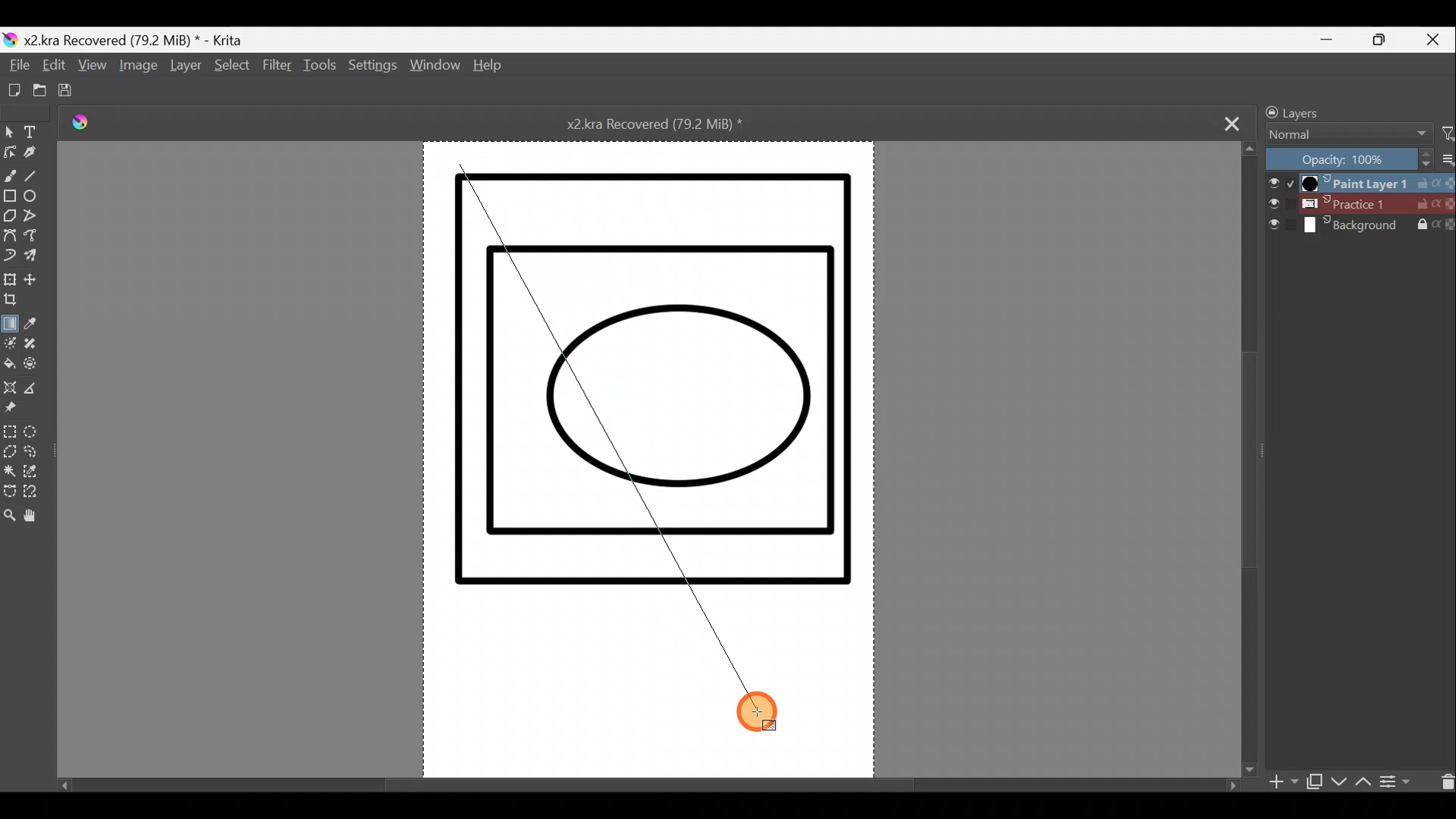 Image resolution: width=1456 pixels, height=819 pixels. I want to click on Close, so click(1436, 39).